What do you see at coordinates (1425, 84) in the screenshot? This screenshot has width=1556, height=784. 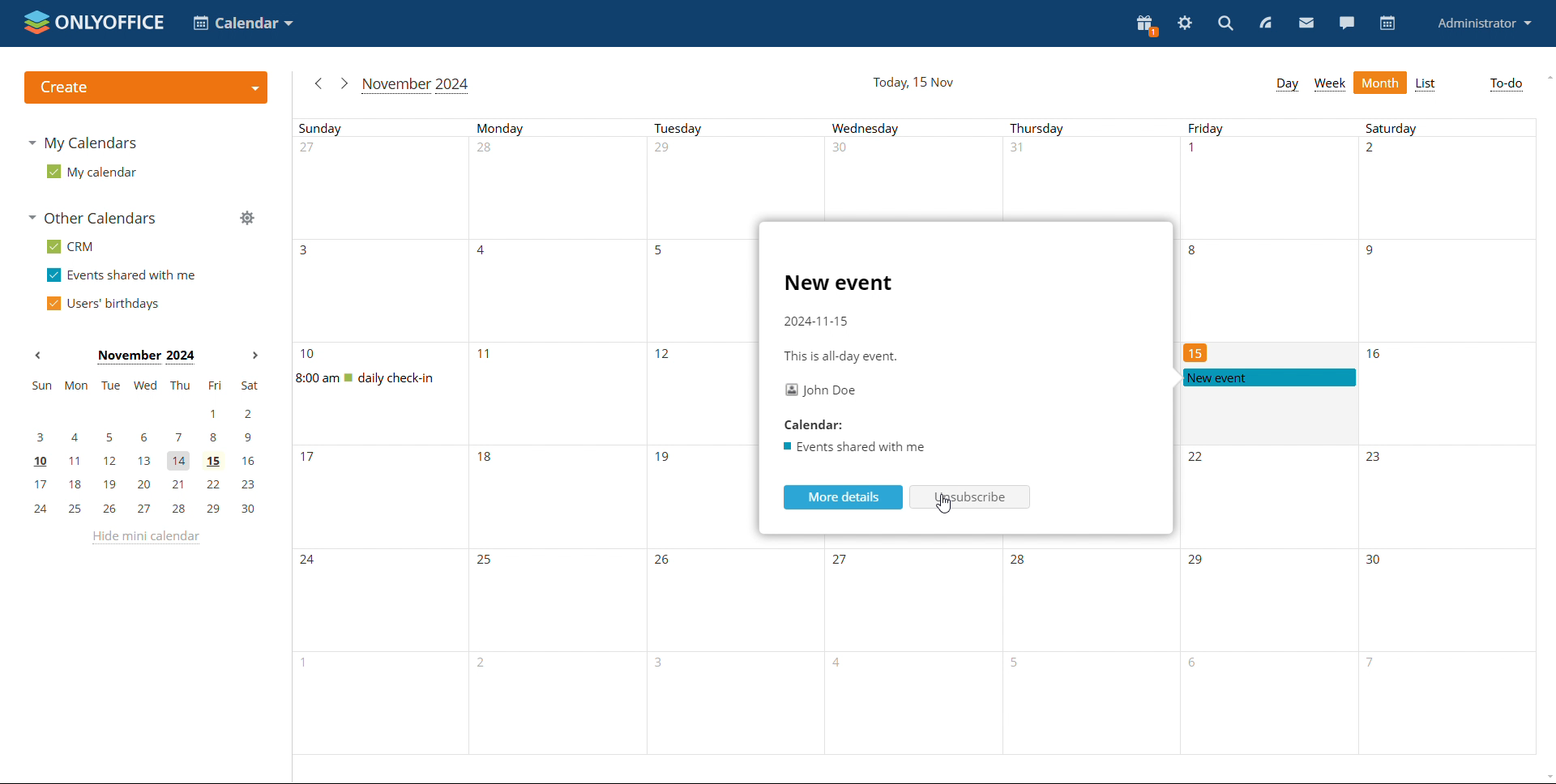 I see `list view` at bounding box center [1425, 84].